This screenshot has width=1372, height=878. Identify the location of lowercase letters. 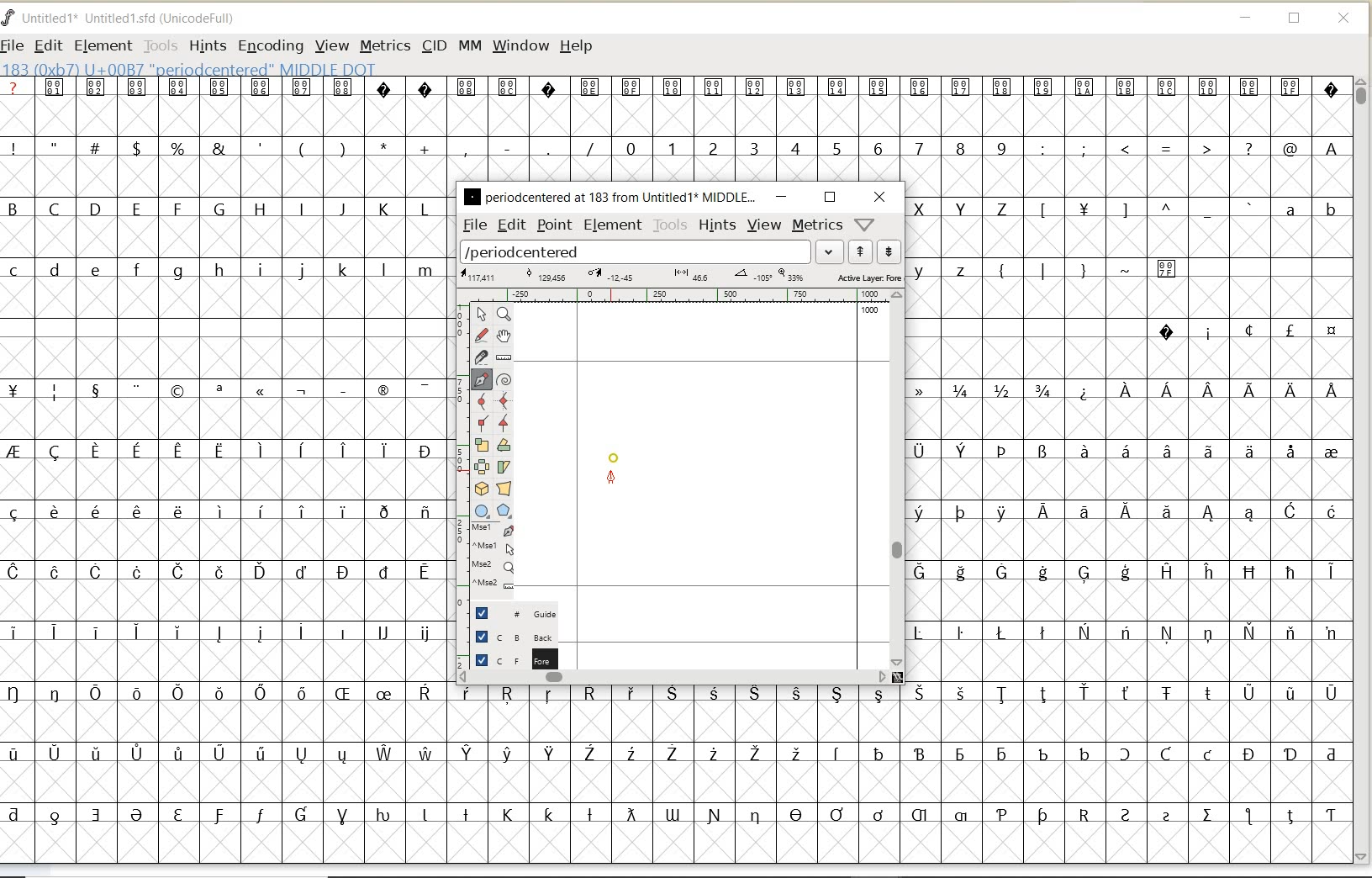
(1310, 213).